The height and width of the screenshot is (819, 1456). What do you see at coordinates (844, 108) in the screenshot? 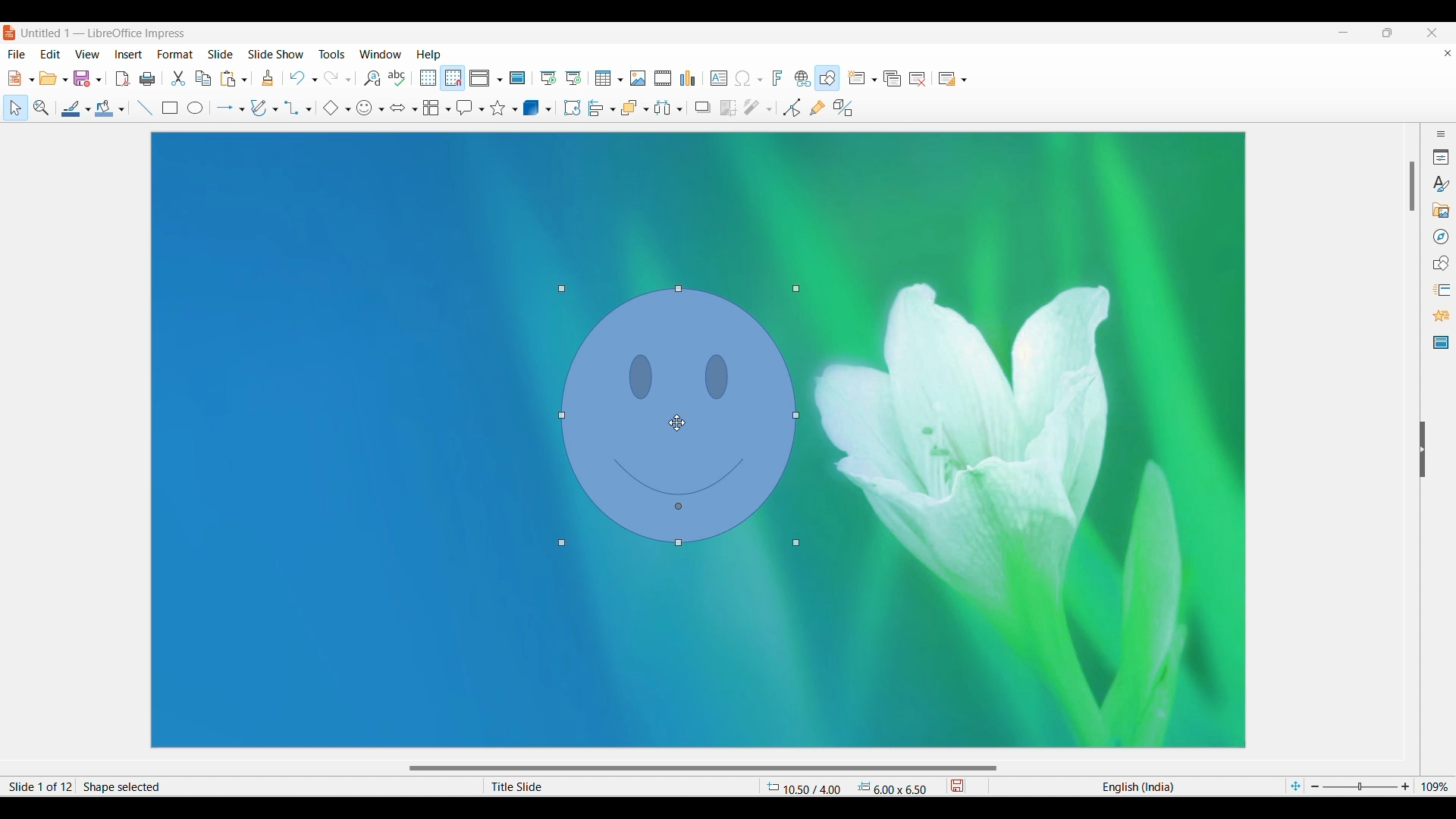
I see `Toggle extrusion` at bounding box center [844, 108].